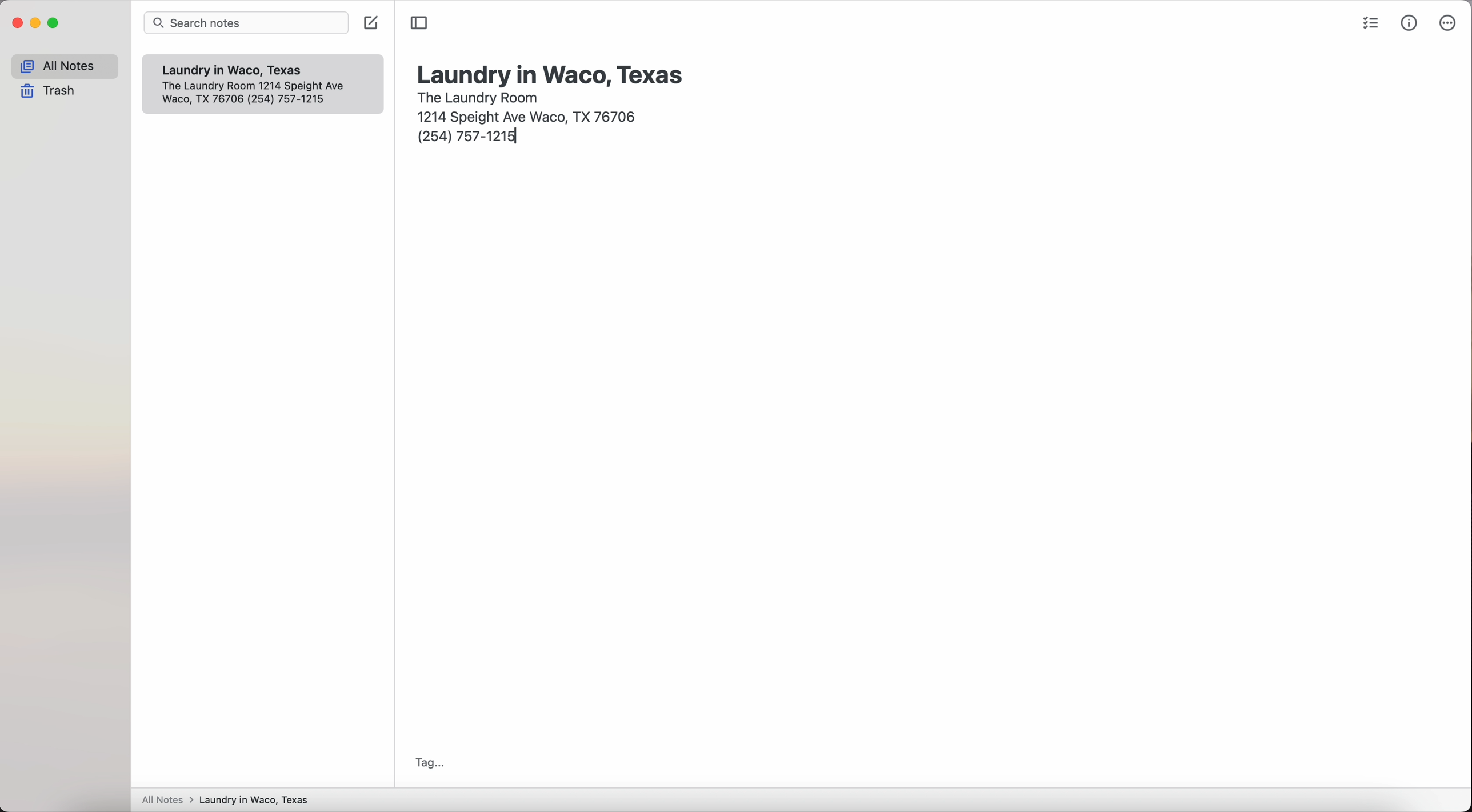 The width and height of the screenshot is (1472, 812). I want to click on 1214 Speight Ave Waco, TX 76706, so click(530, 115).